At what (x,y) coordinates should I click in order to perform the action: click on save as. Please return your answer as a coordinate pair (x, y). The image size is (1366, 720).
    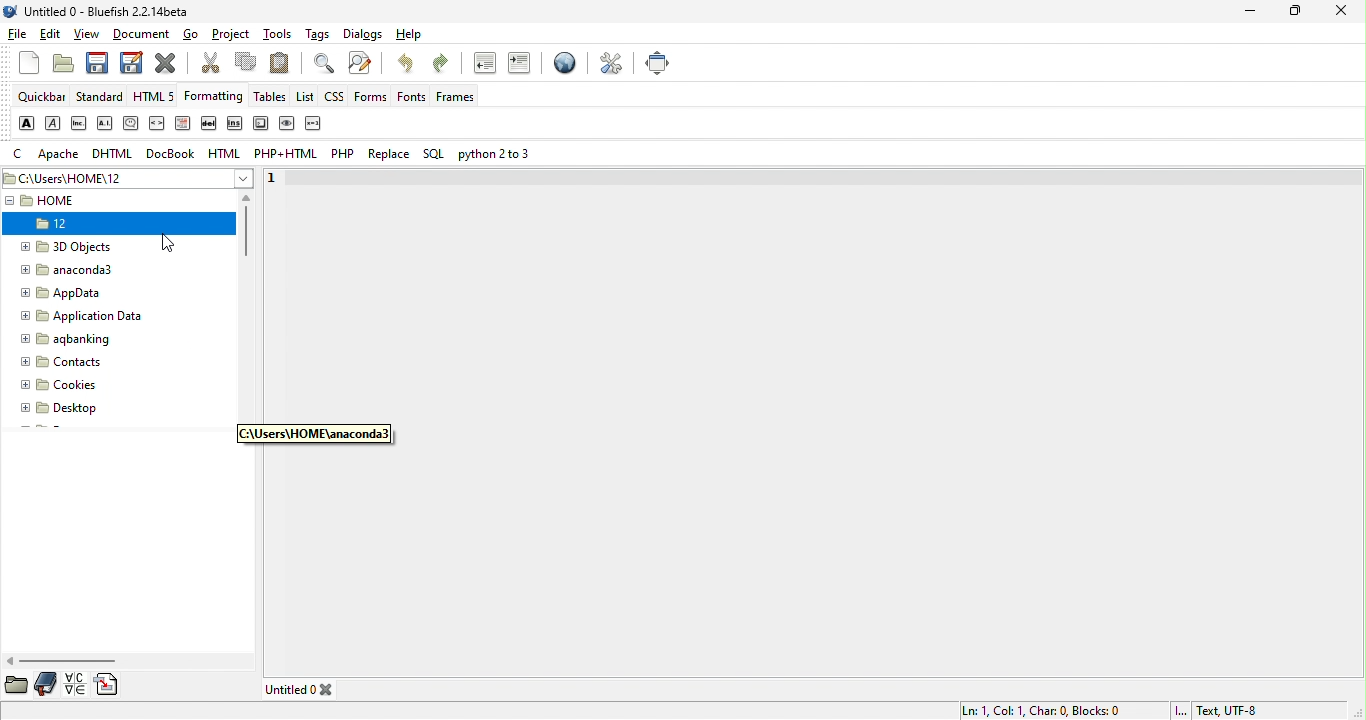
    Looking at the image, I should click on (132, 66).